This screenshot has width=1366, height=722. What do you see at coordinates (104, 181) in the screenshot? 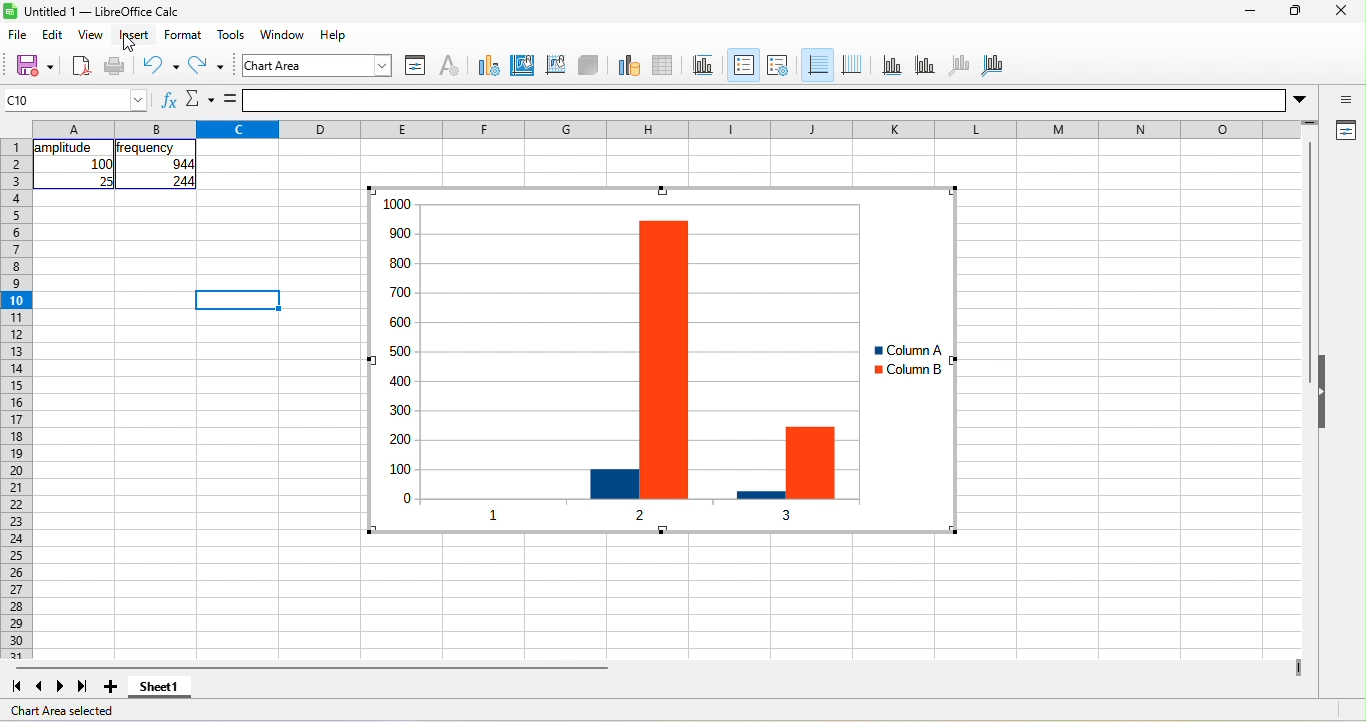
I see `25` at bounding box center [104, 181].